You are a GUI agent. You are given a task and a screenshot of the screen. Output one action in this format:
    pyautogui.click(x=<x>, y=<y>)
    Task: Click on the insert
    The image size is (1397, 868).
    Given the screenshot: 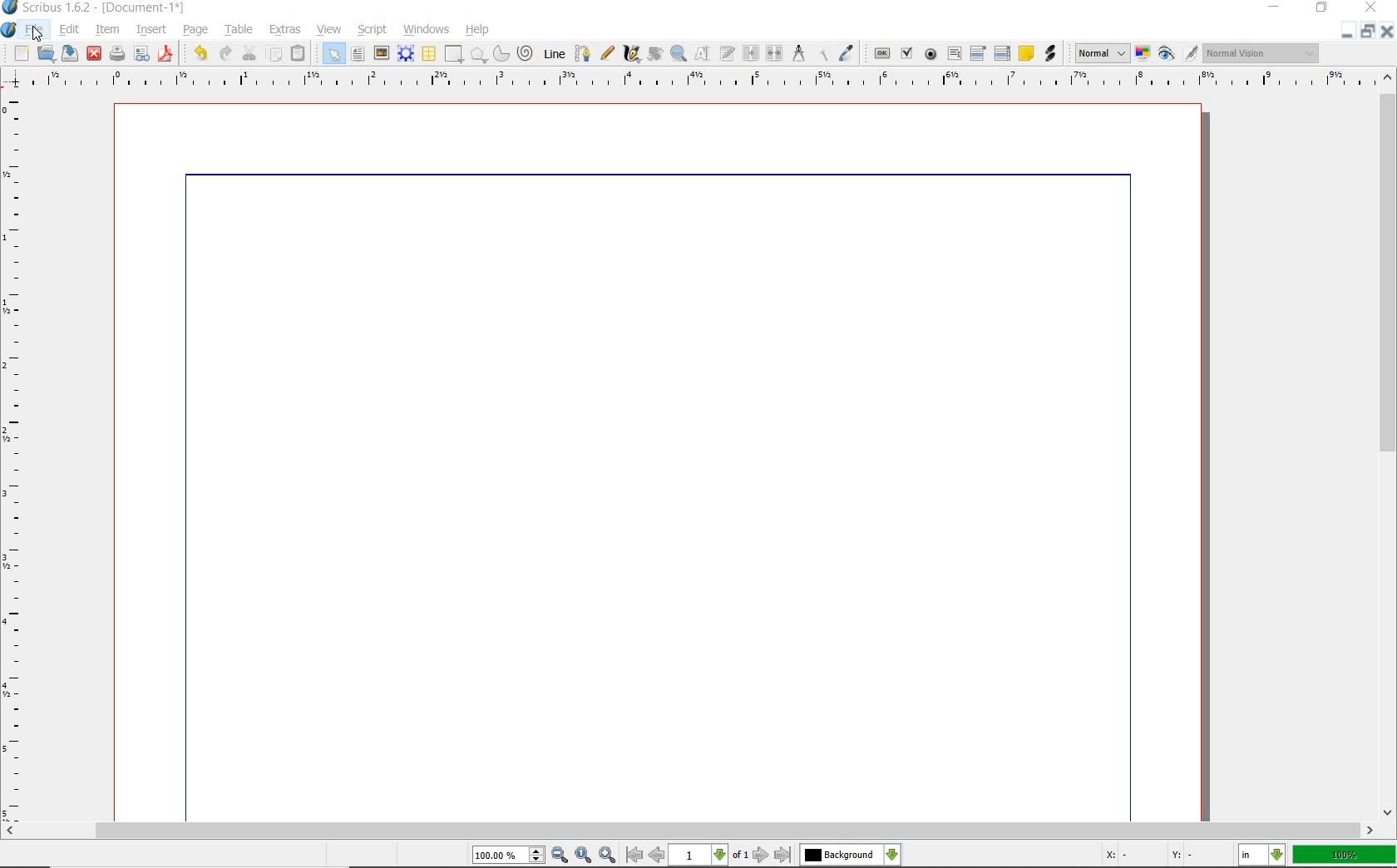 What is the action you would take?
    pyautogui.click(x=151, y=29)
    